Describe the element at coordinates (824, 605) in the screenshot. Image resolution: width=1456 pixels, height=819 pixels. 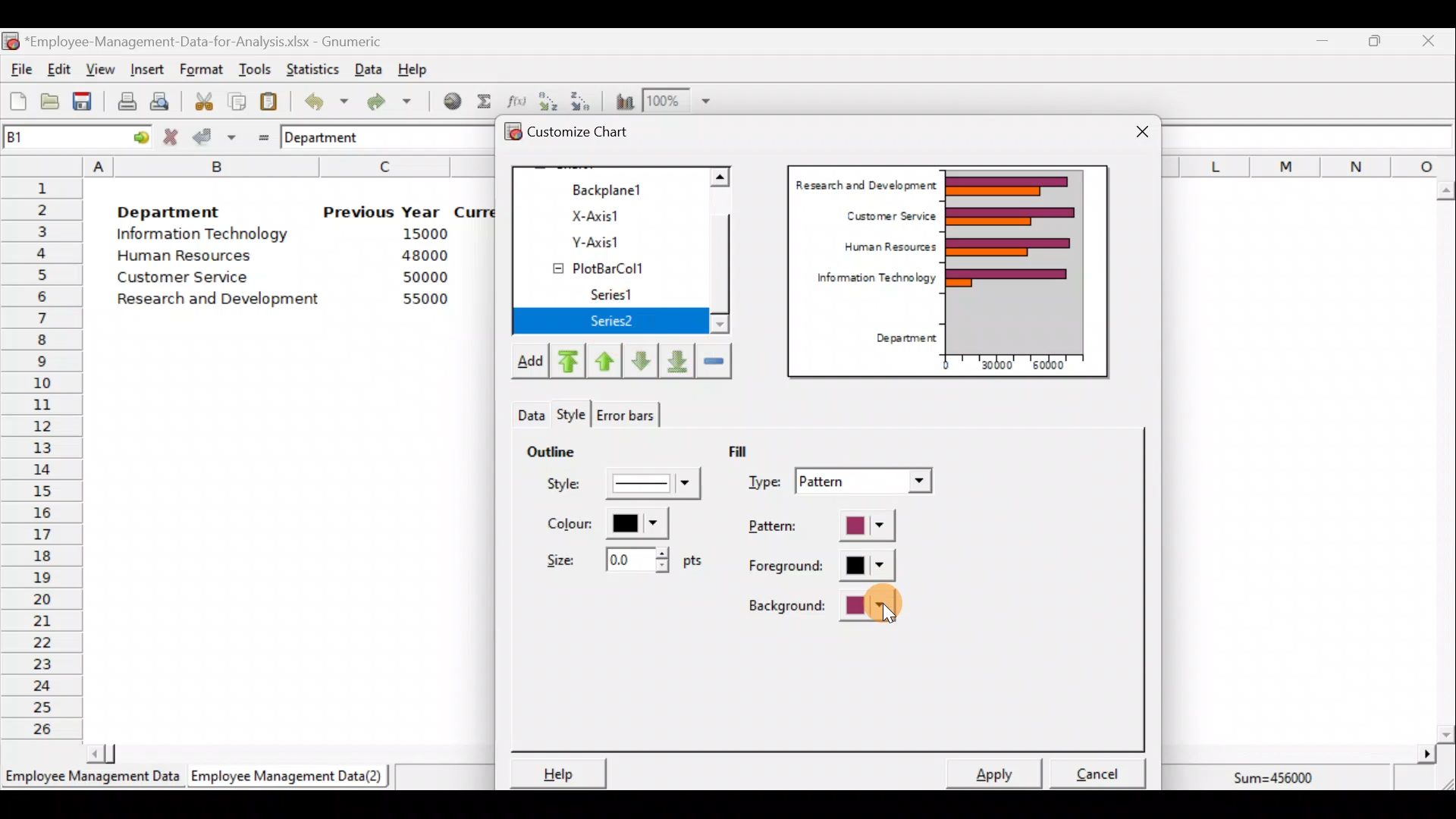
I see `Background` at that location.